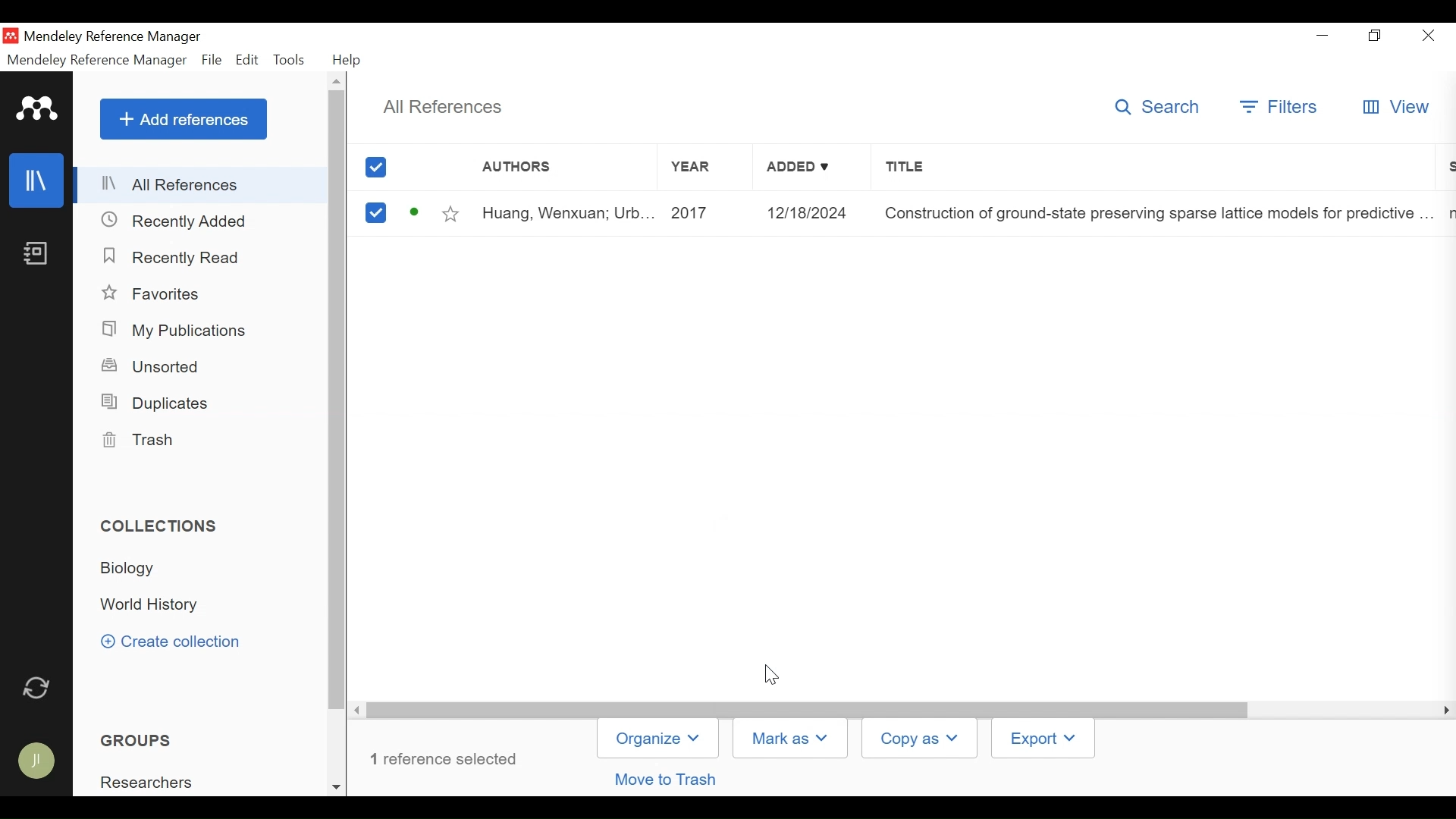 The height and width of the screenshot is (819, 1456). I want to click on Filter, so click(1272, 108).